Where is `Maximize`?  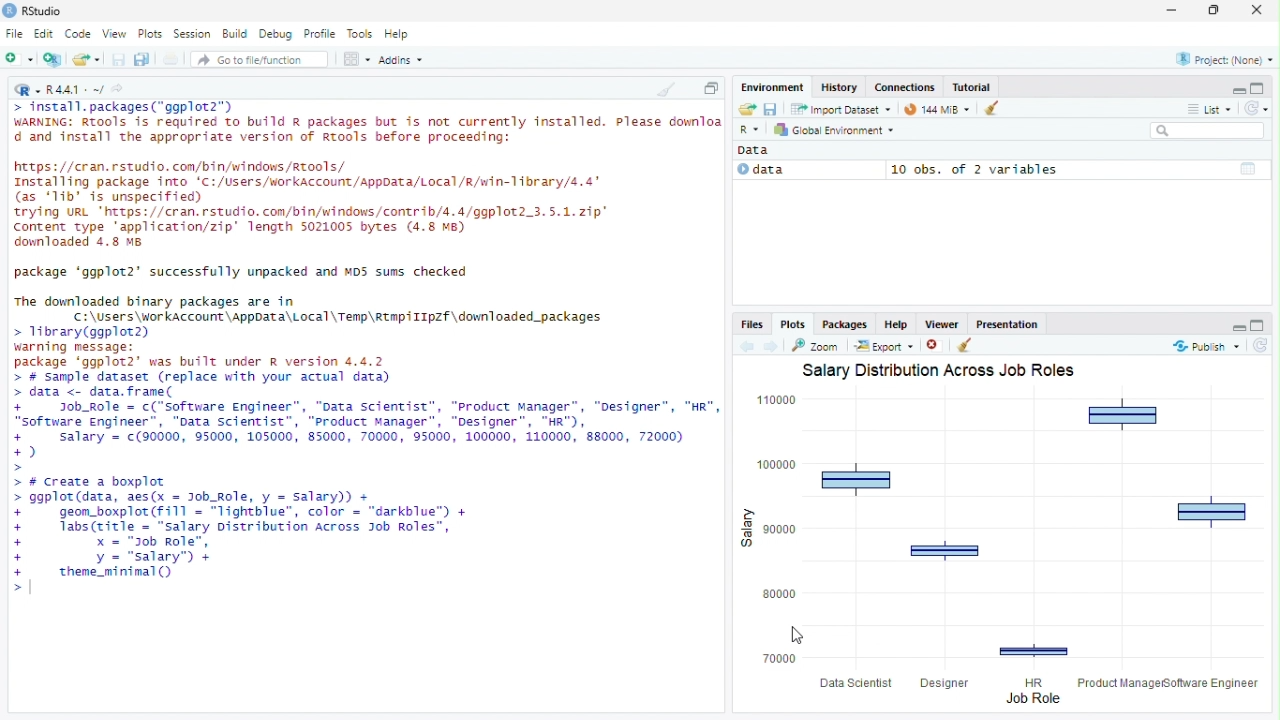
Maximize is located at coordinates (1262, 86).